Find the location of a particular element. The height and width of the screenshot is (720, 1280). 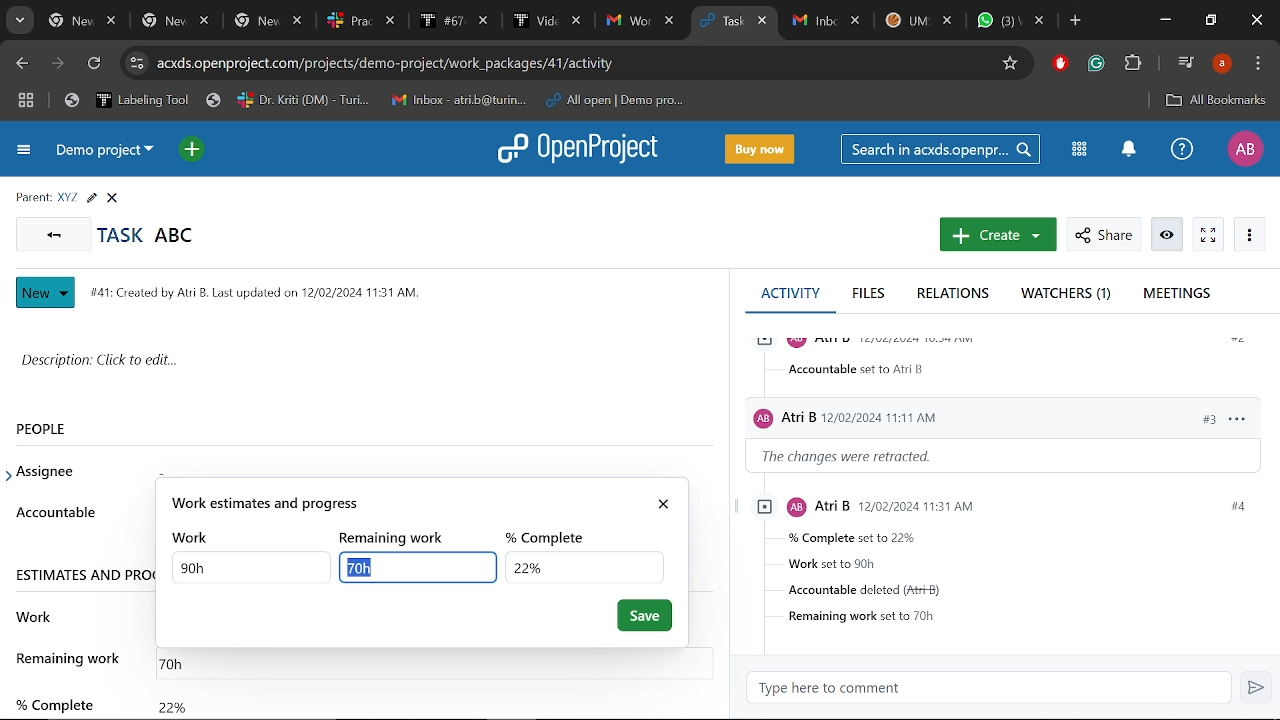

Extensions is located at coordinates (1135, 64).